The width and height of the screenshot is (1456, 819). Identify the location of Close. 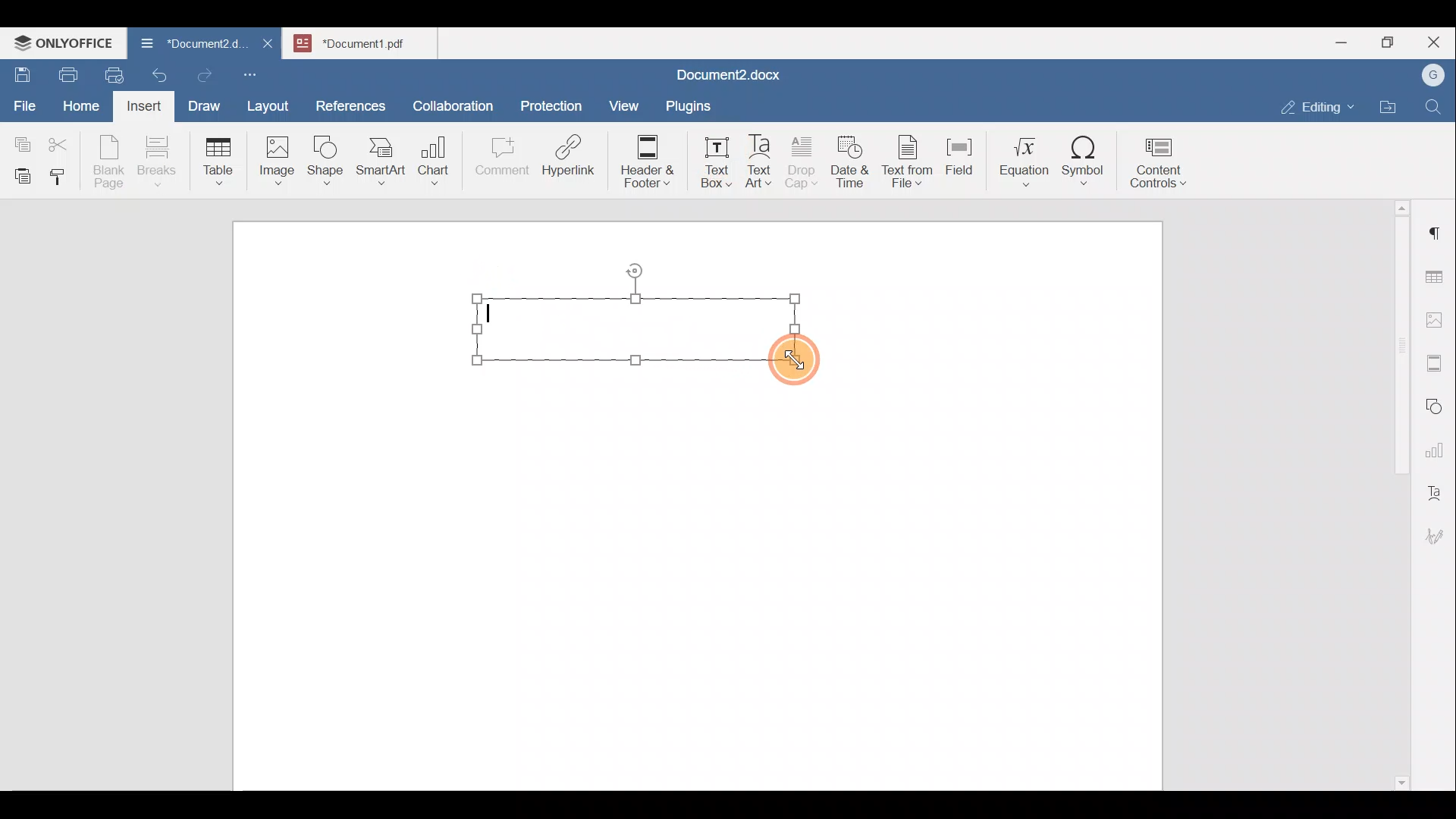
(1436, 43).